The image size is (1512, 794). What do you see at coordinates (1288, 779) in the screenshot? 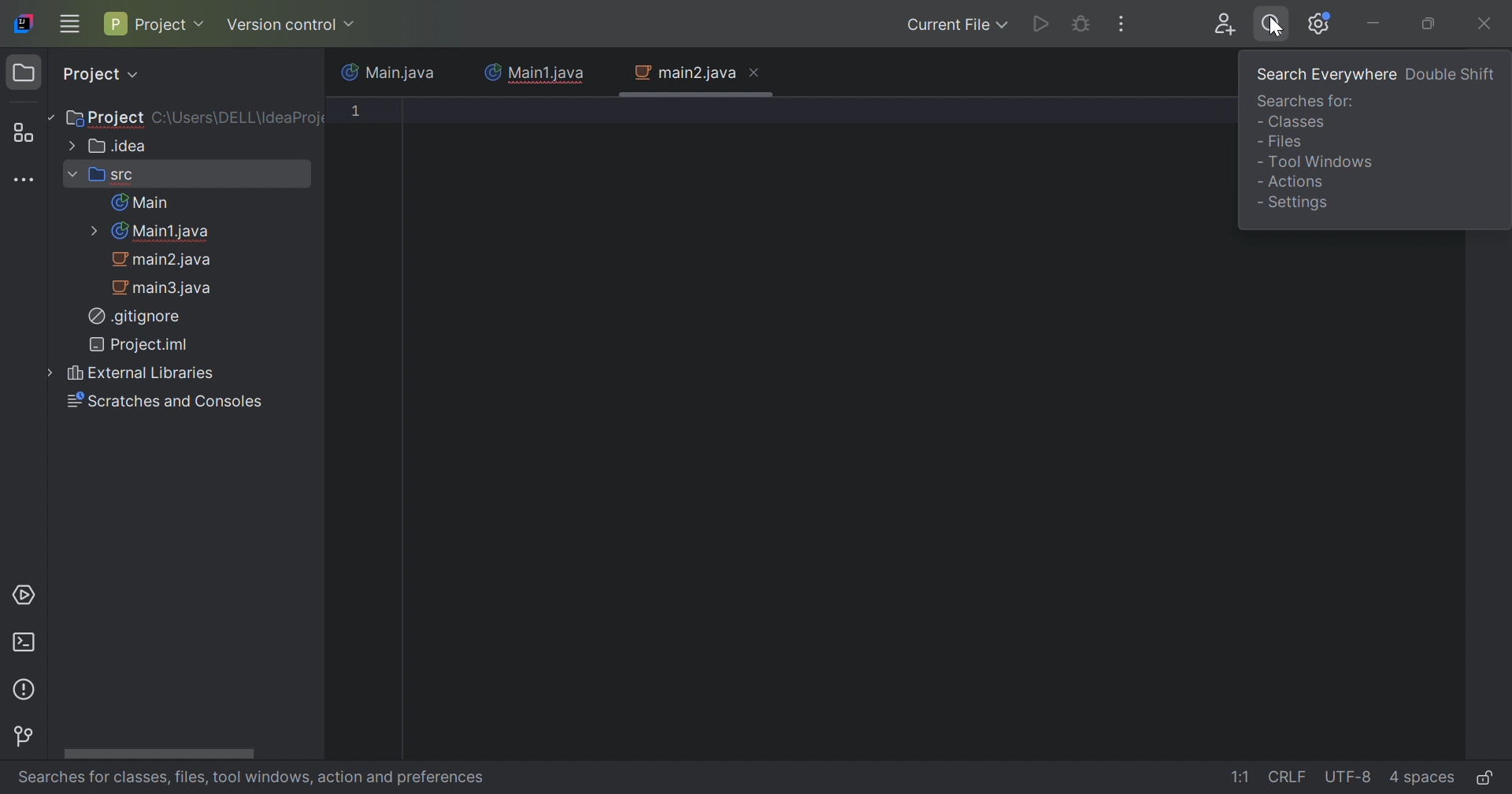
I see `CRLF` at bounding box center [1288, 779].